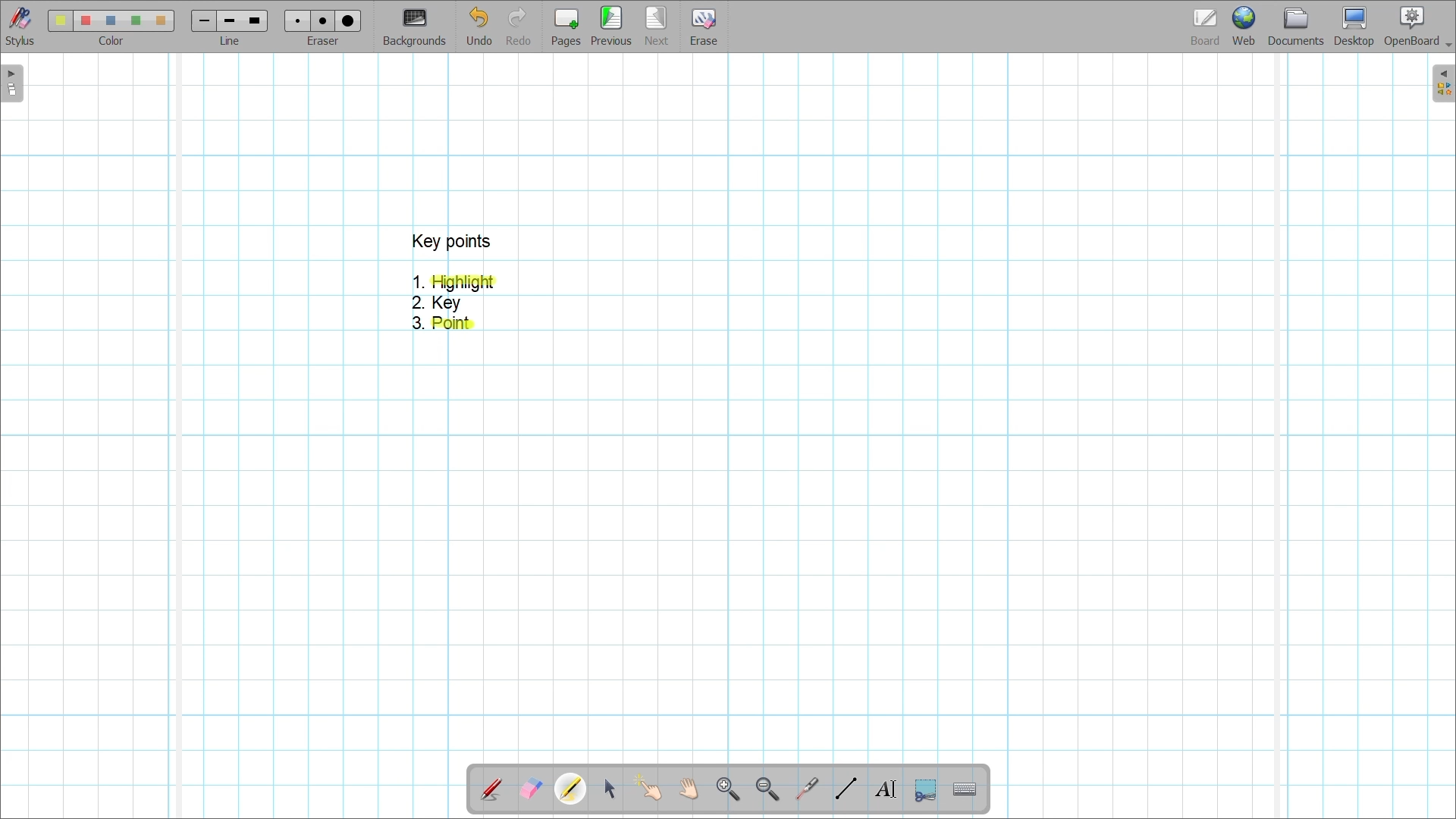 This screenshot has height=819, width=1456. What do you see at coordinates (444, 324) in the screenshot?
I see `Key point 3 highlighted` at bounding box center [444, 324].